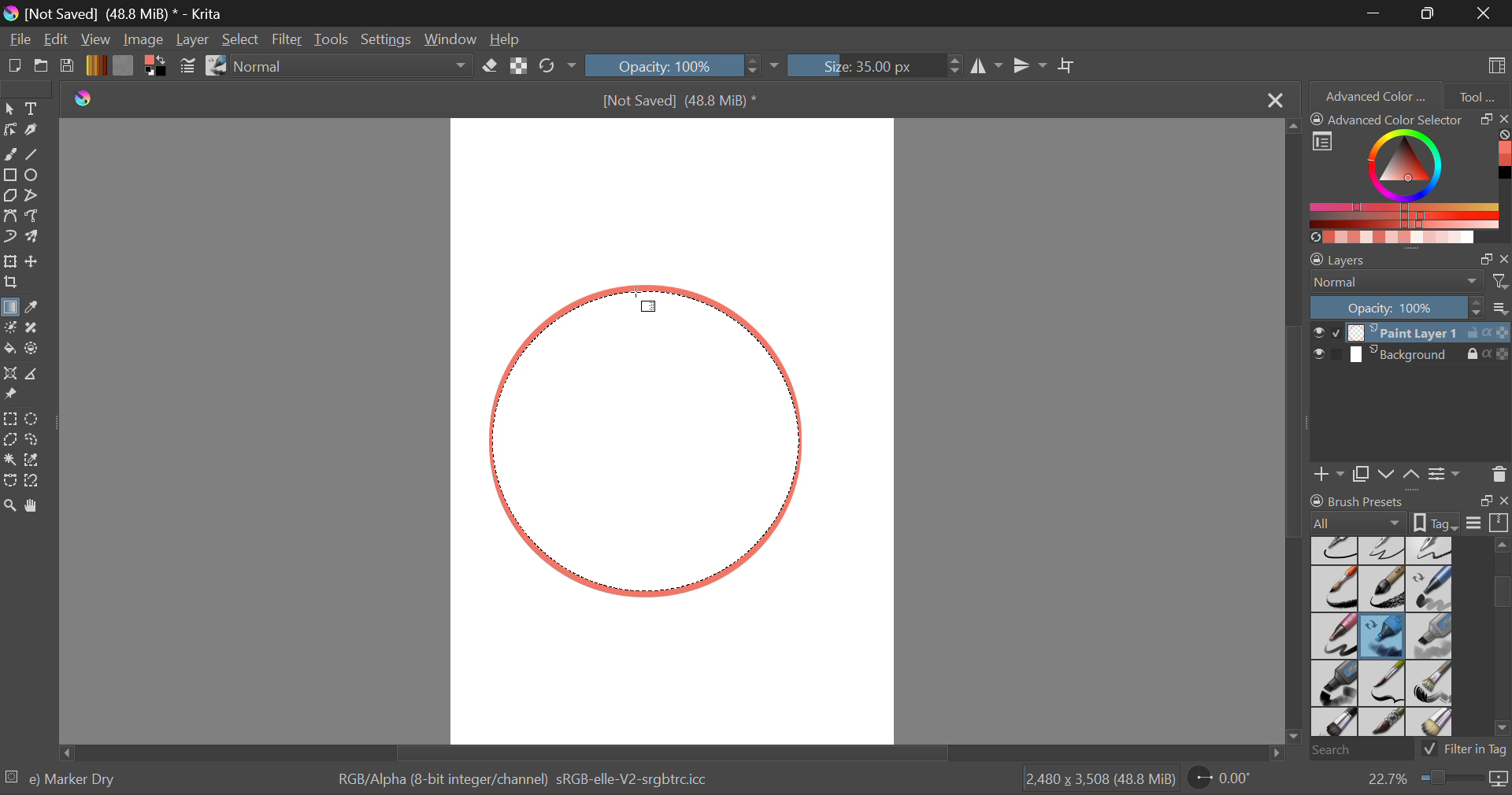 This screenshot has width=1512, height=795. I want to click on Ink-8 Sumi-e, so click(1382, 590).